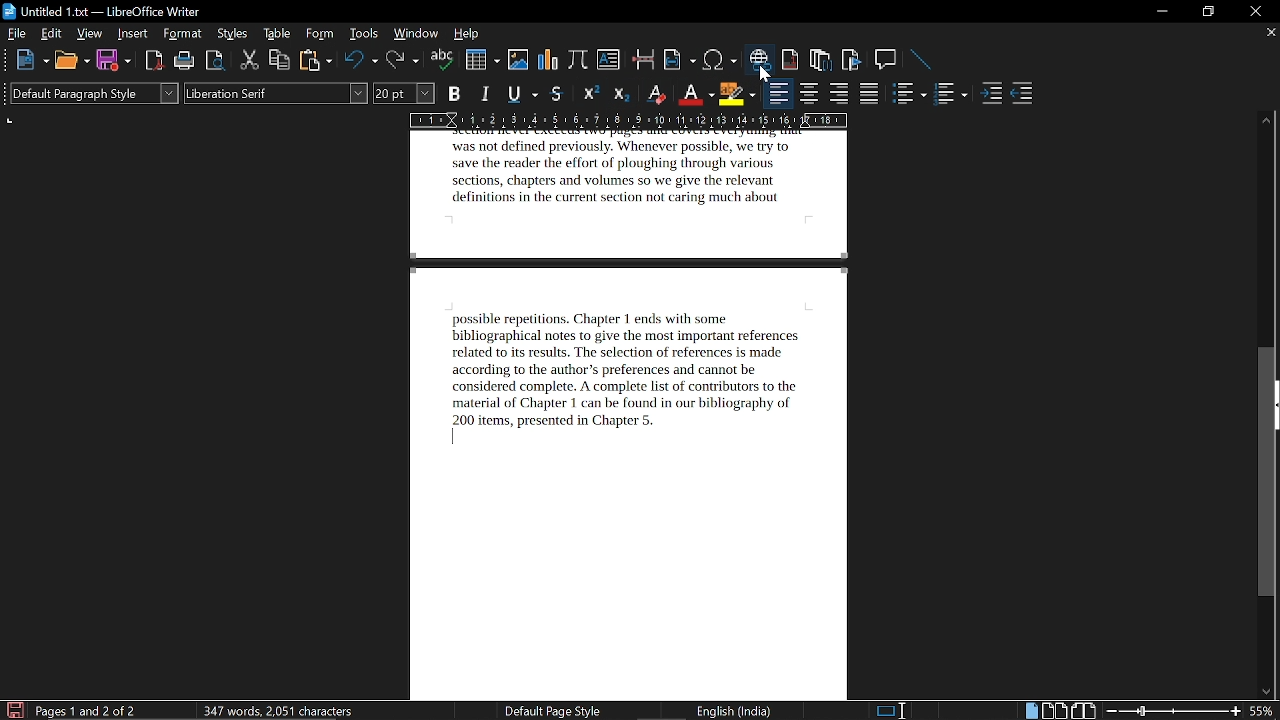  Describe the element at coordinates (608, 62) in the screenshot. I see `insert text` at that location.